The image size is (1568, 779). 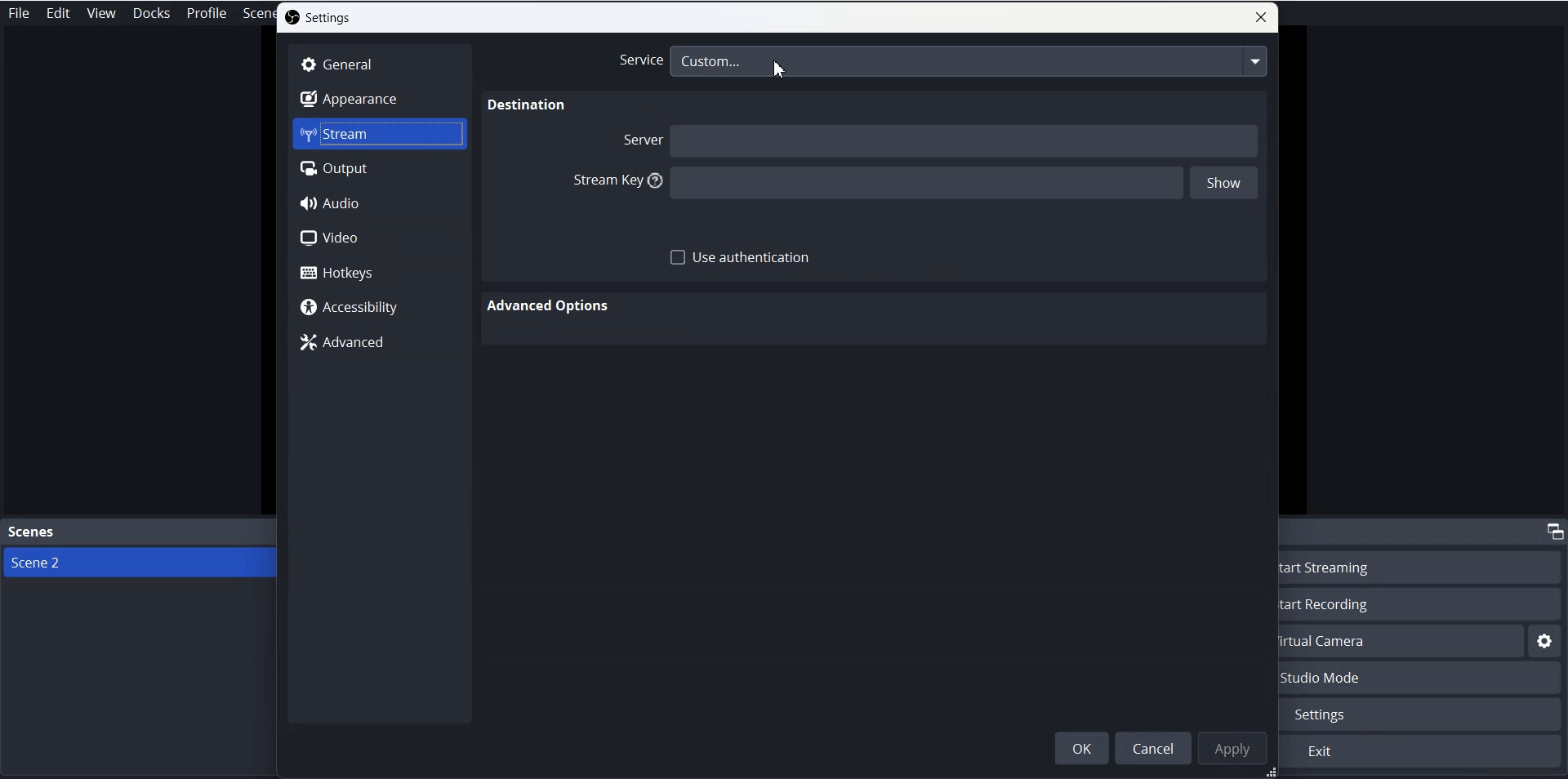 What do you see at coordinates (380, 168) in the screenshot?
I see `Output` at bounding box center [380, 168].